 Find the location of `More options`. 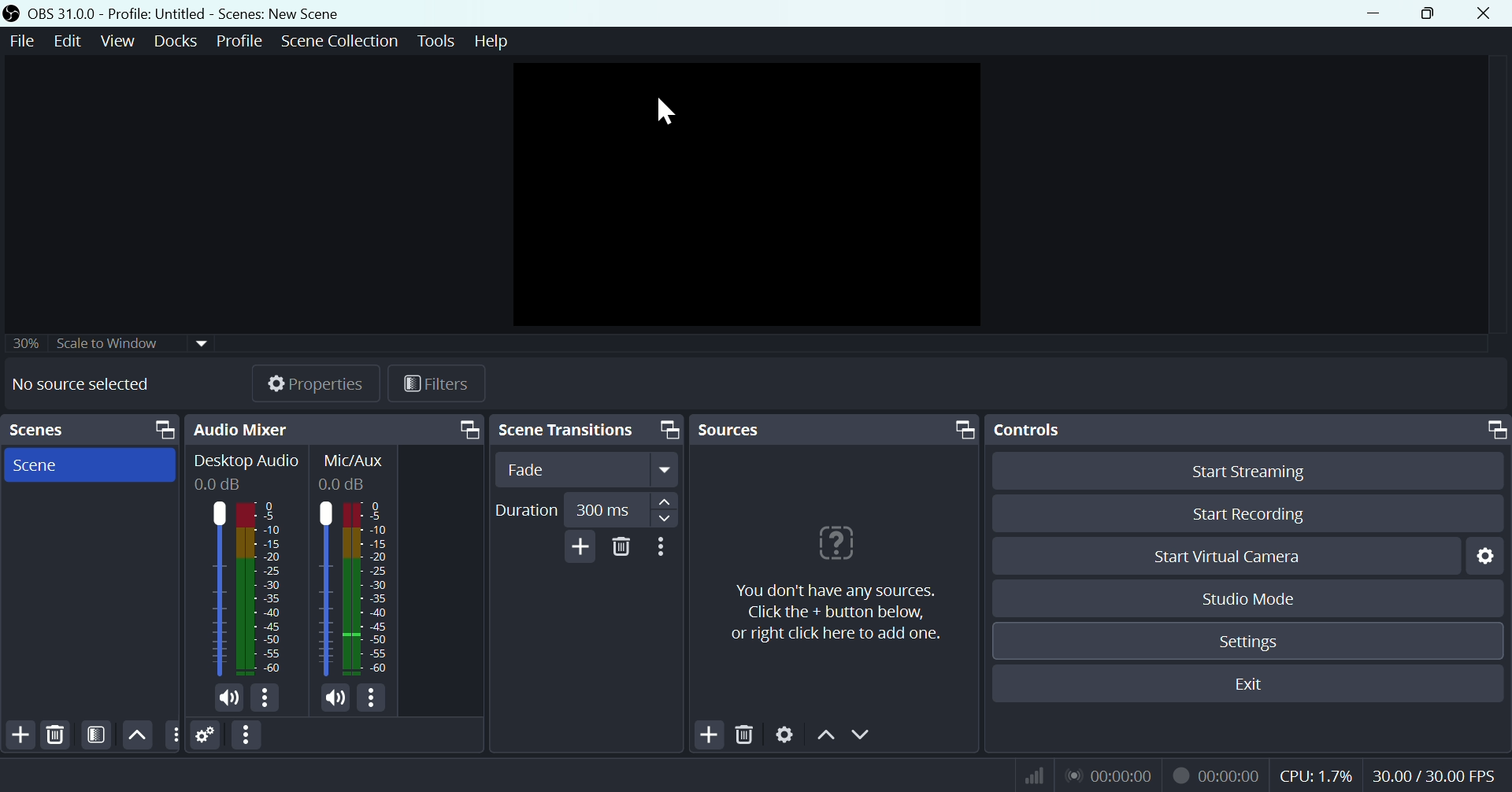

More options is located at coordinates (667, 553).